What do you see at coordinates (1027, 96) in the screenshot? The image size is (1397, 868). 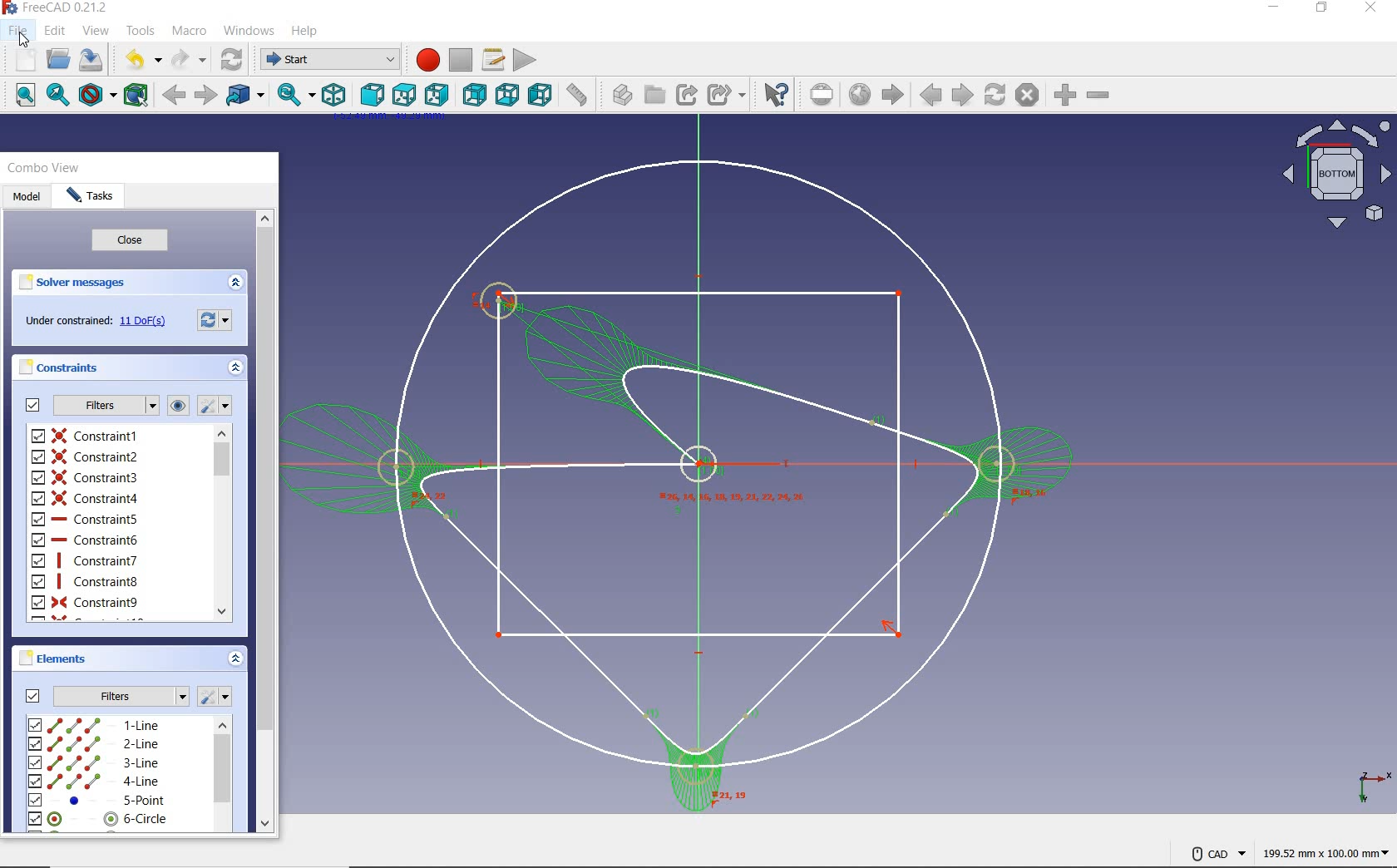 I see `stop loading` at bounding box center [1027, 96].